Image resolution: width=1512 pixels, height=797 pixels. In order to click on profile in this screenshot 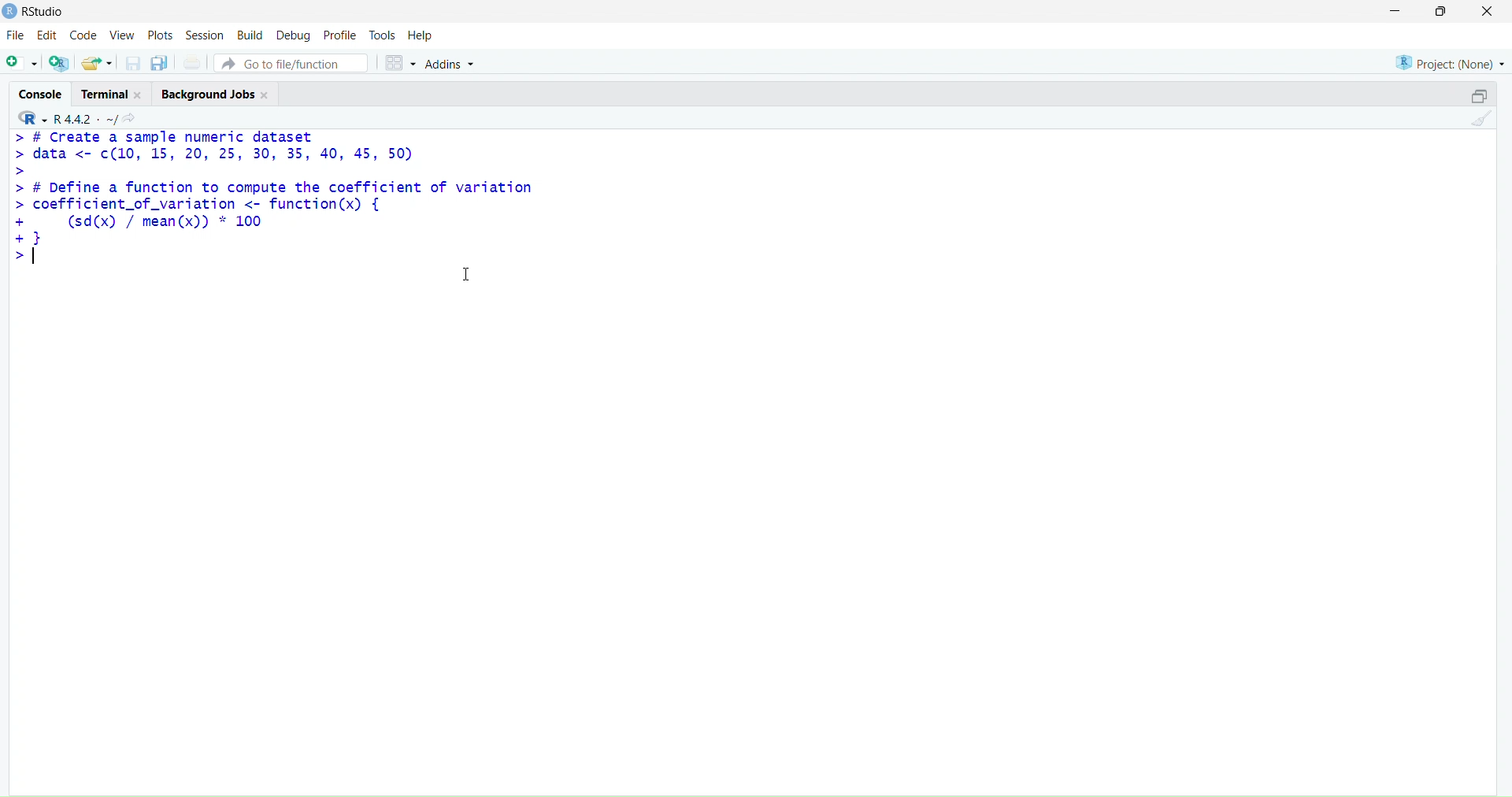, I will do `click(340, 36)`.